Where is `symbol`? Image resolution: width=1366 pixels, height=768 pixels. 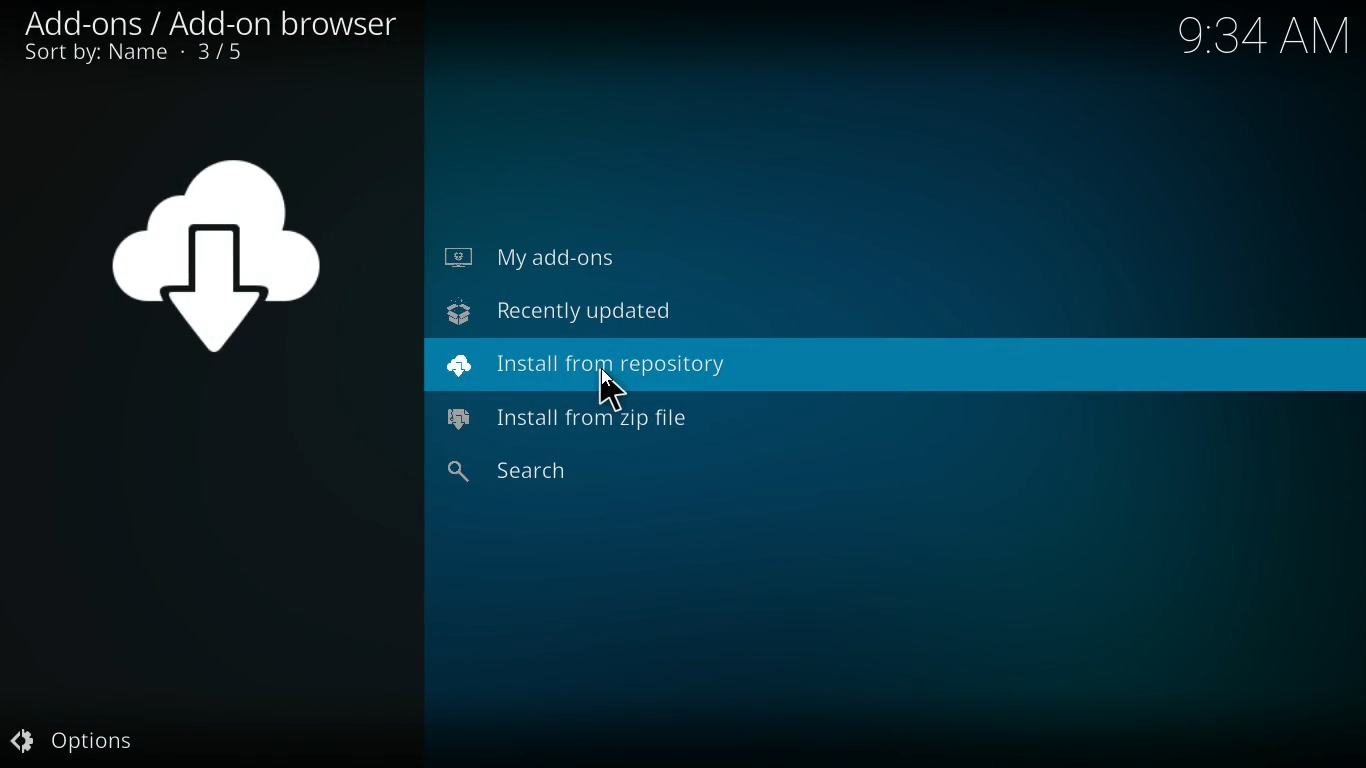
symbol is located at coordinates (224, 245).